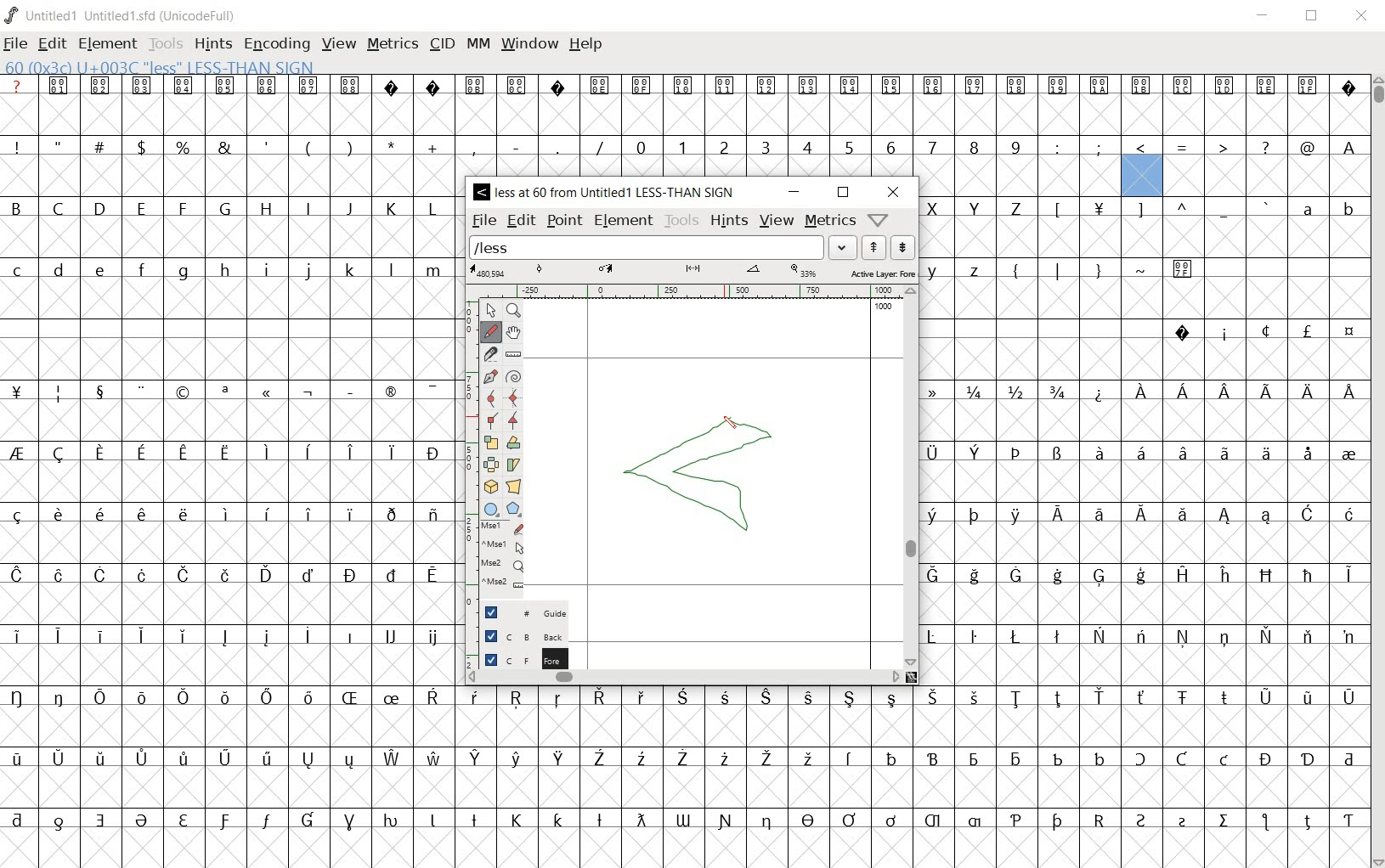 The image size is (1385, 868). I want to click on show the next word on the list, so click(877, 247).